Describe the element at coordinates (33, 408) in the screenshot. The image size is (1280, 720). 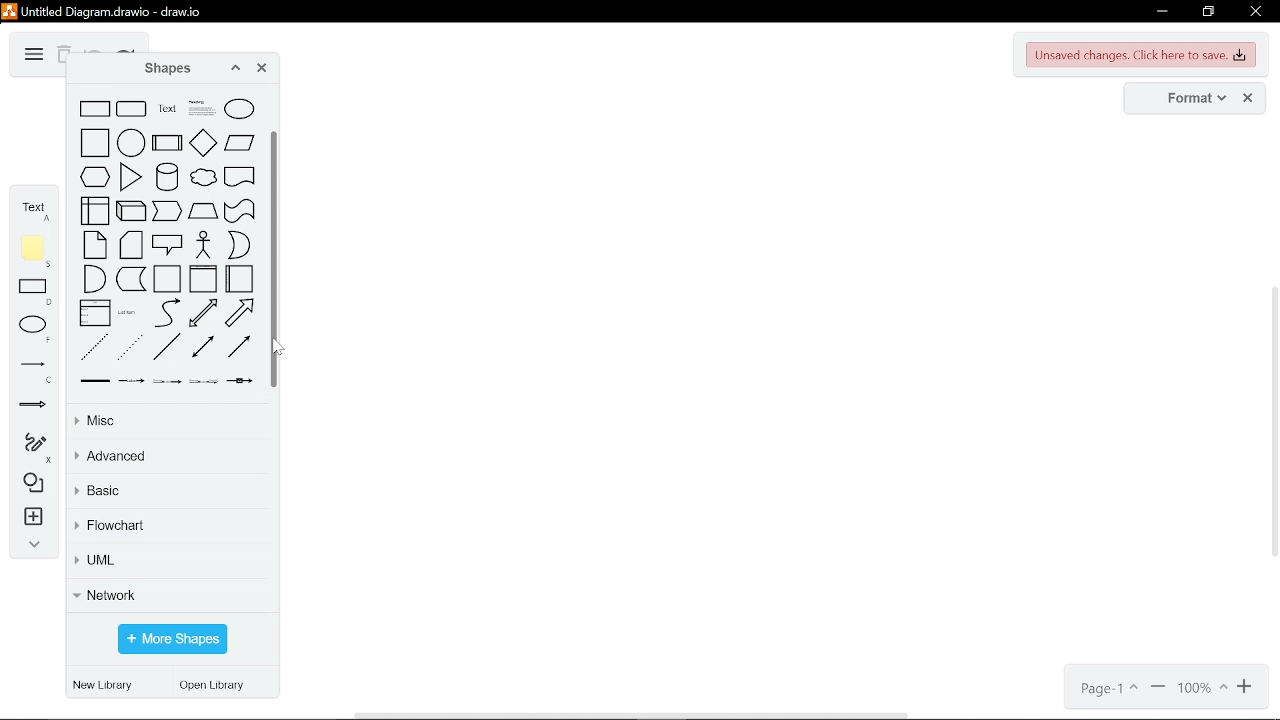
I see `arrows` at that location.